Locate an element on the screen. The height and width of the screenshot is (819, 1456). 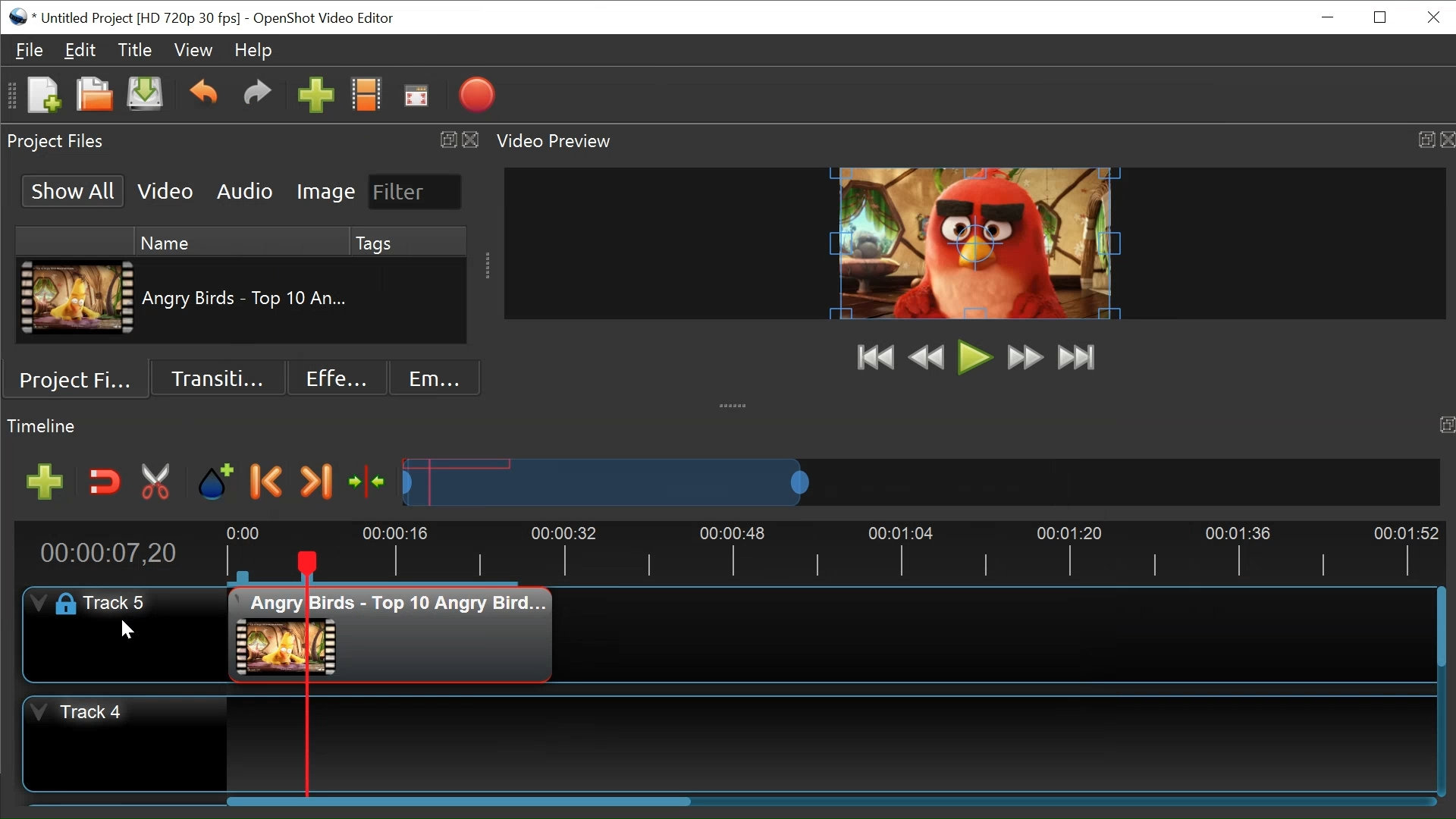
Video Preview is located at coordinates (972, 142).